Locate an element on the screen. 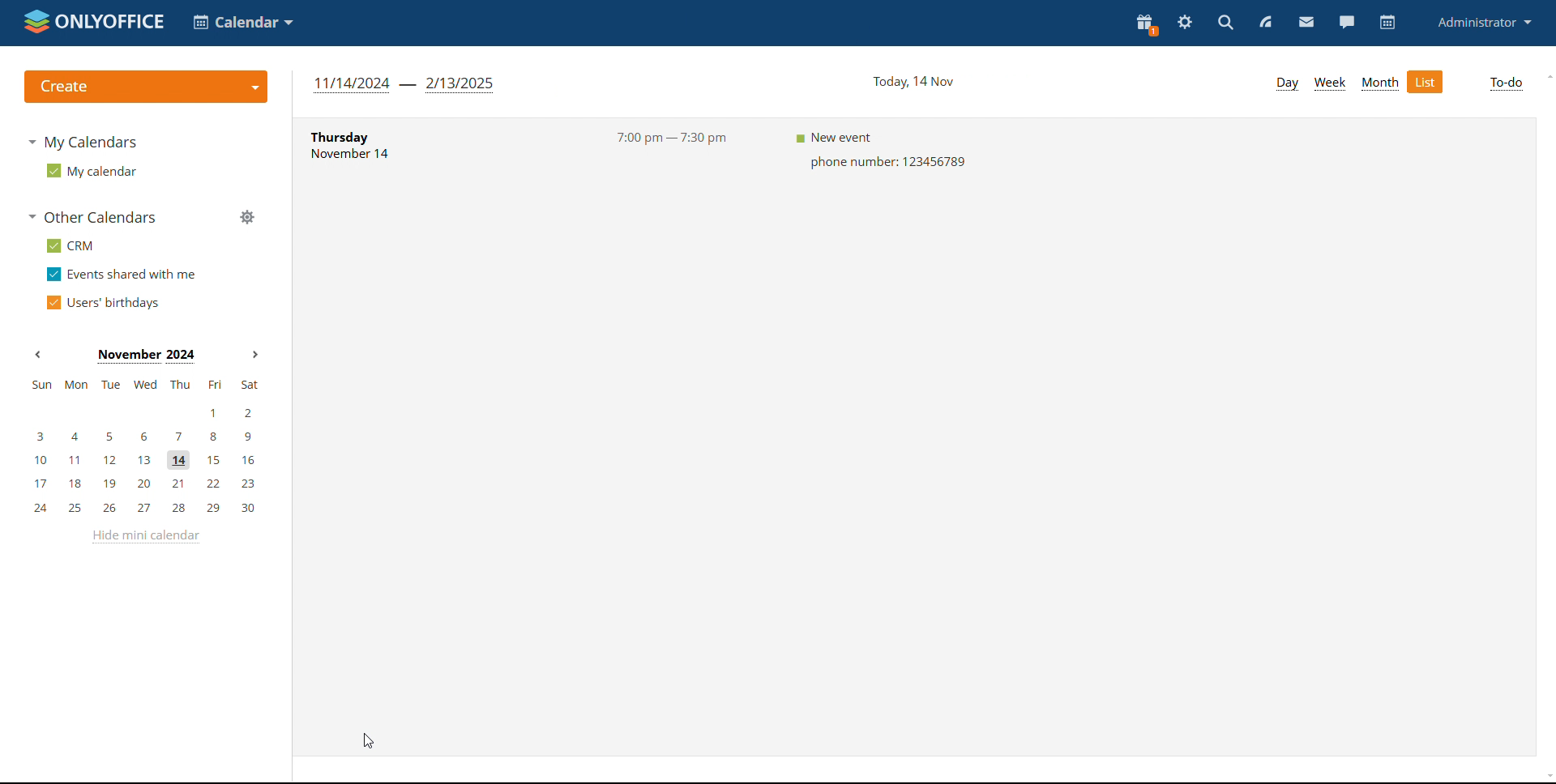  time is located at coordinates (672, 140).